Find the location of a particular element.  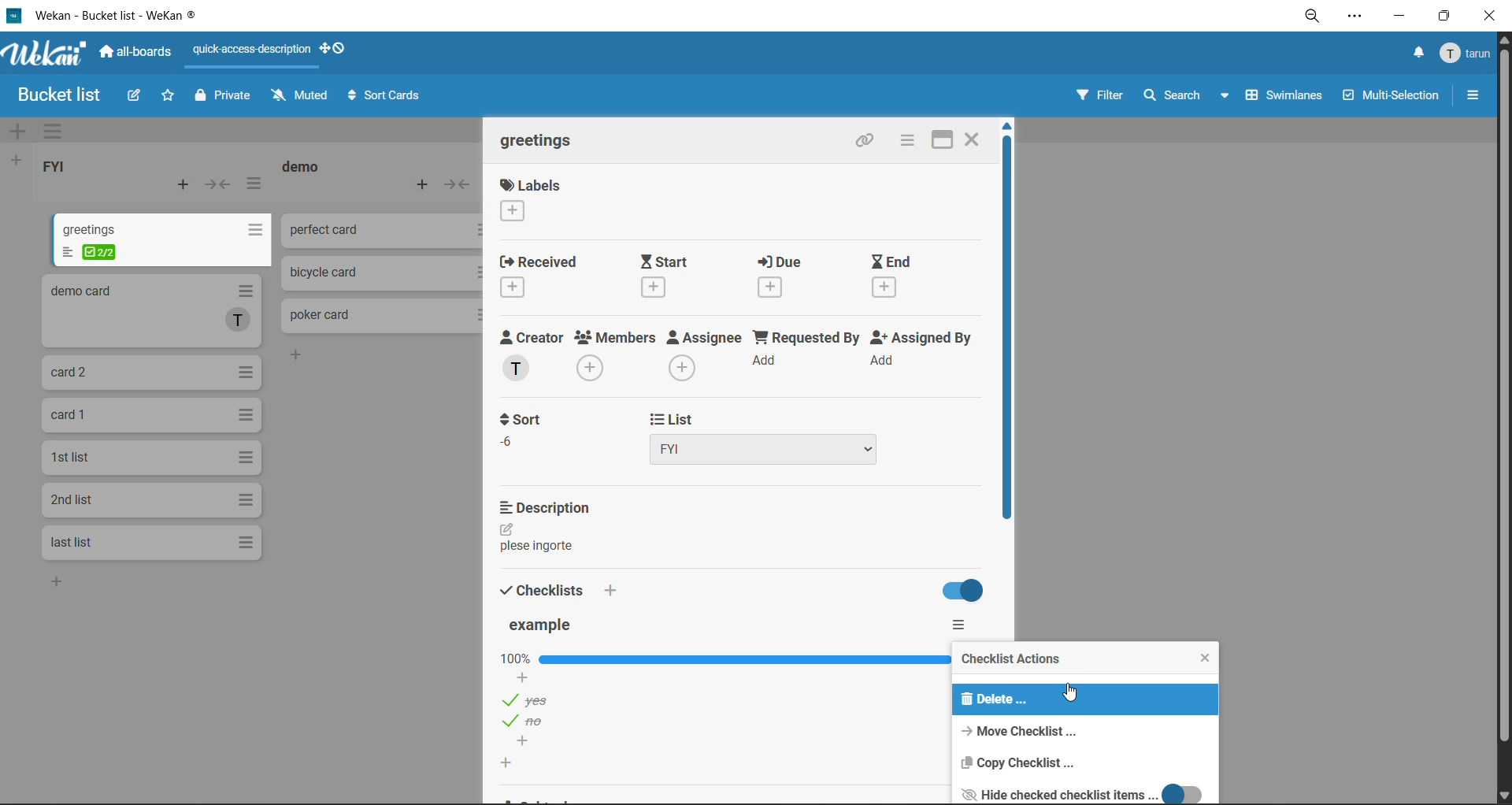

cards is located at coordinates (151, 373).